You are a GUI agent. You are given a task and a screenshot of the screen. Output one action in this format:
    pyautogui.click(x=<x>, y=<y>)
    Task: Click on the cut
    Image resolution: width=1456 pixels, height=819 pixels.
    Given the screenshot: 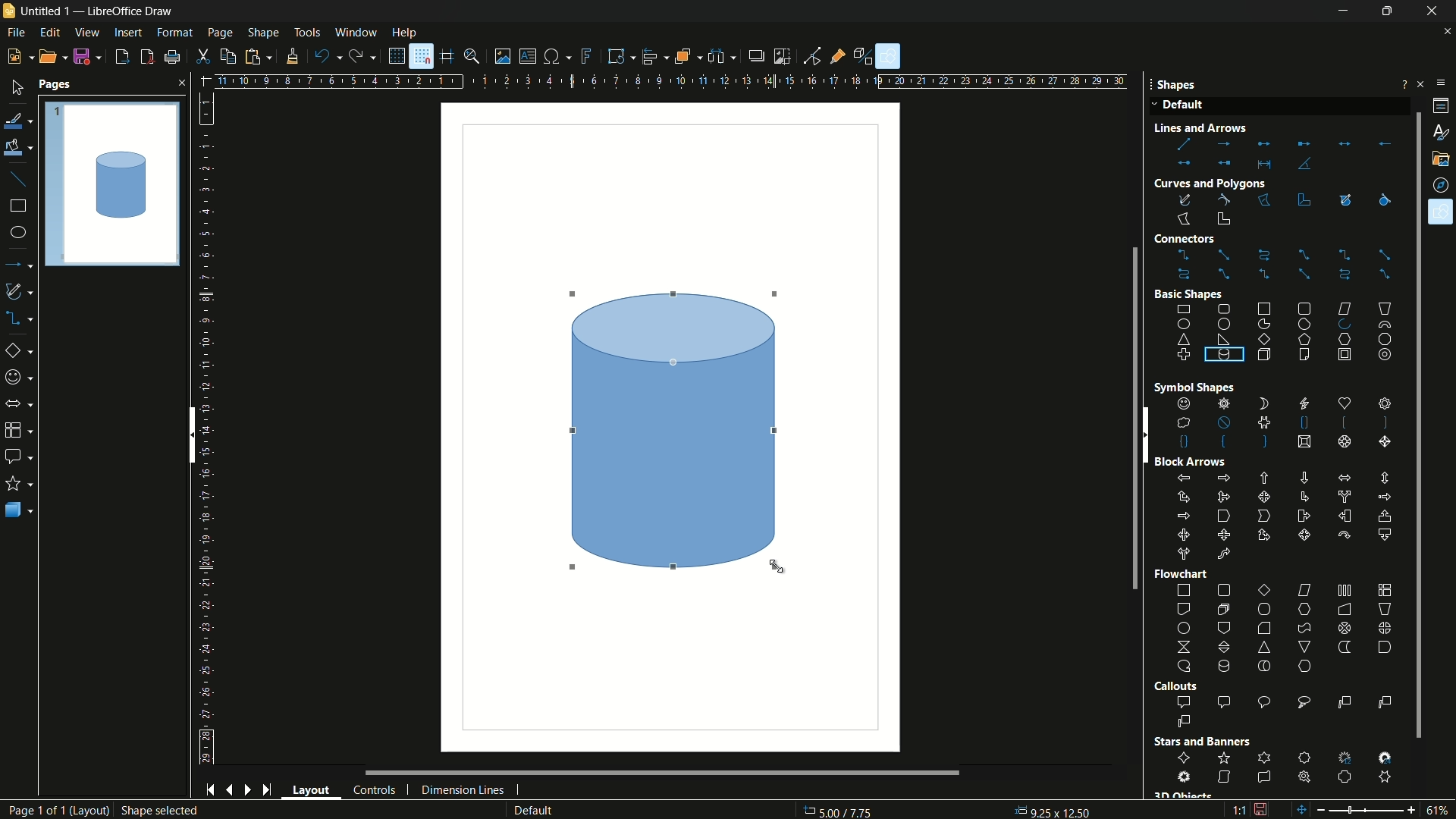 What is the action you would take?
    pyautogui.click(x=206, y=56)
    